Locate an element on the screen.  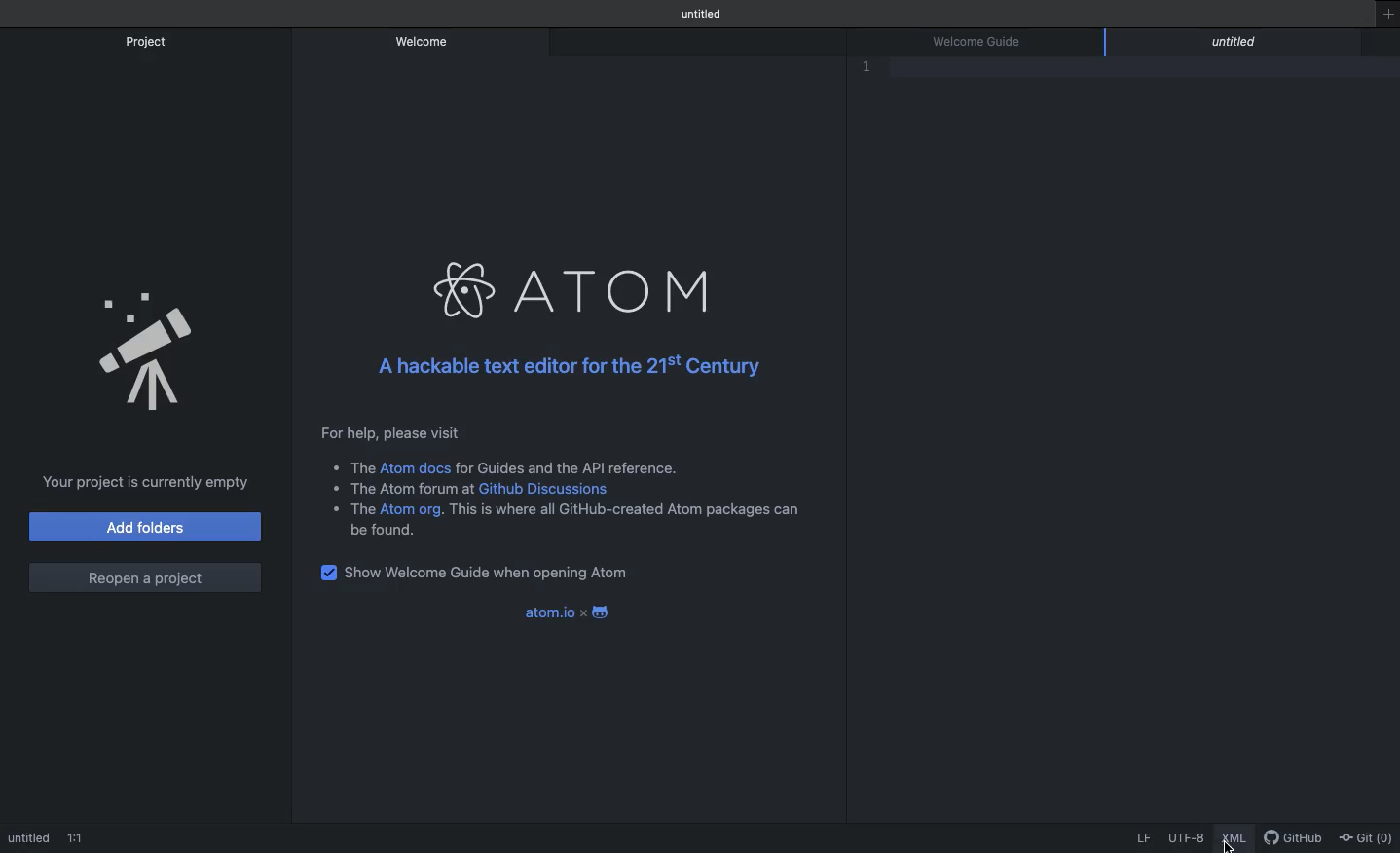
editor is located at coordinates (1236, 44).